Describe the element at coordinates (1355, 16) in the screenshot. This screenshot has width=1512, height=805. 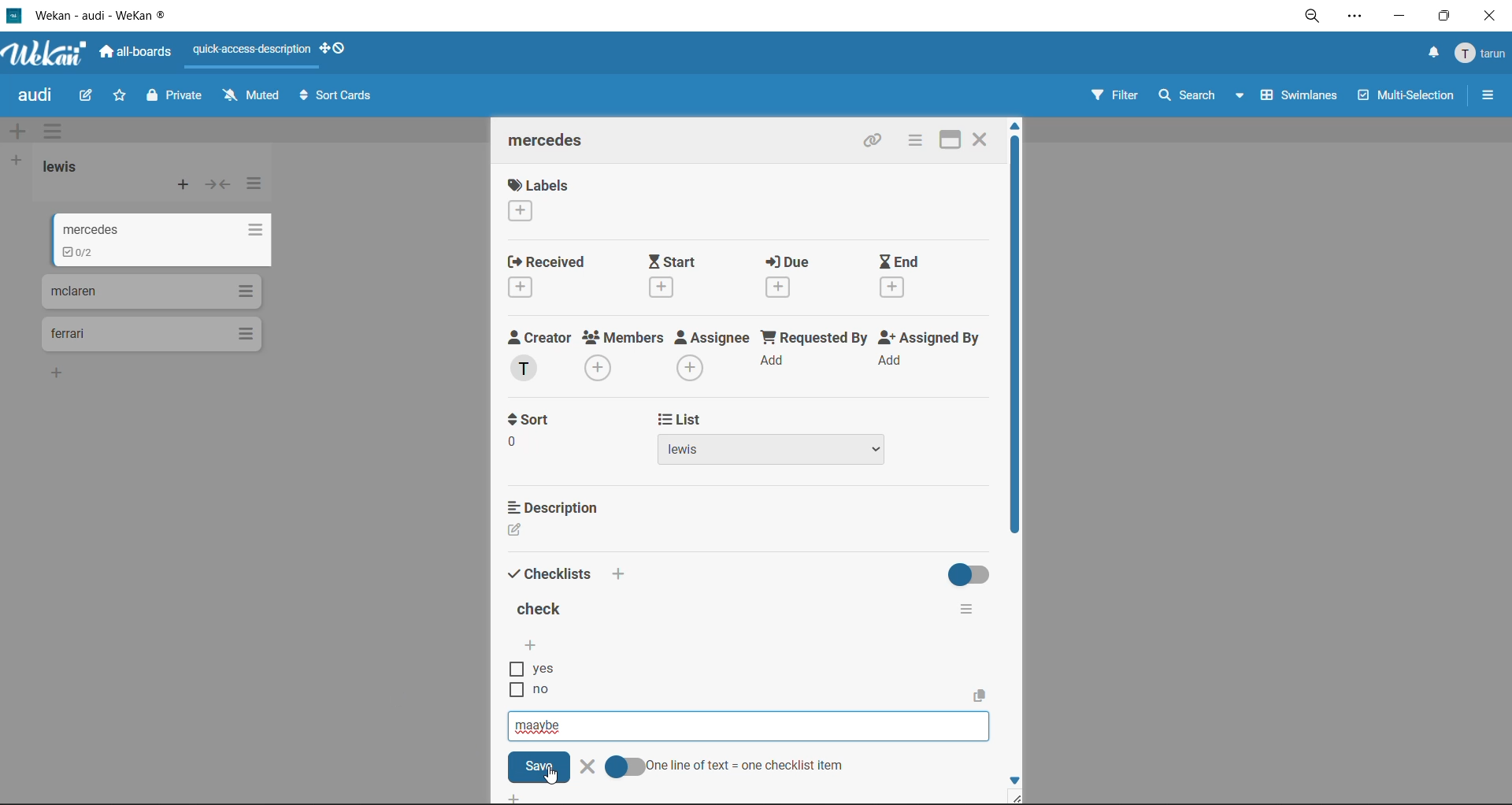
I see `settings` at that location.